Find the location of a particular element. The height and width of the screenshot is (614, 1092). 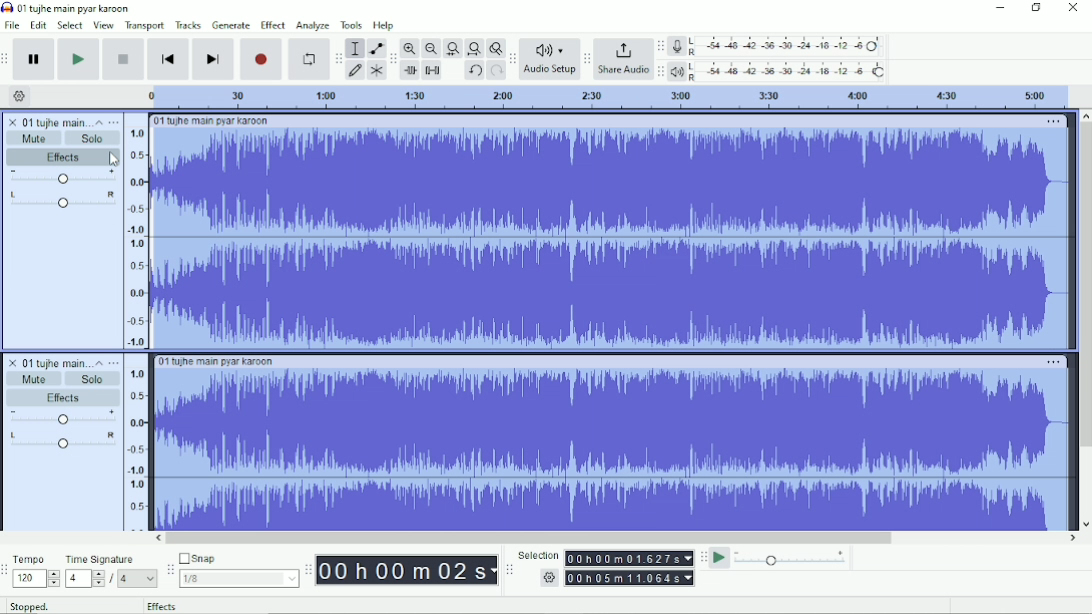

Transport is located at coordinates (145, 26).